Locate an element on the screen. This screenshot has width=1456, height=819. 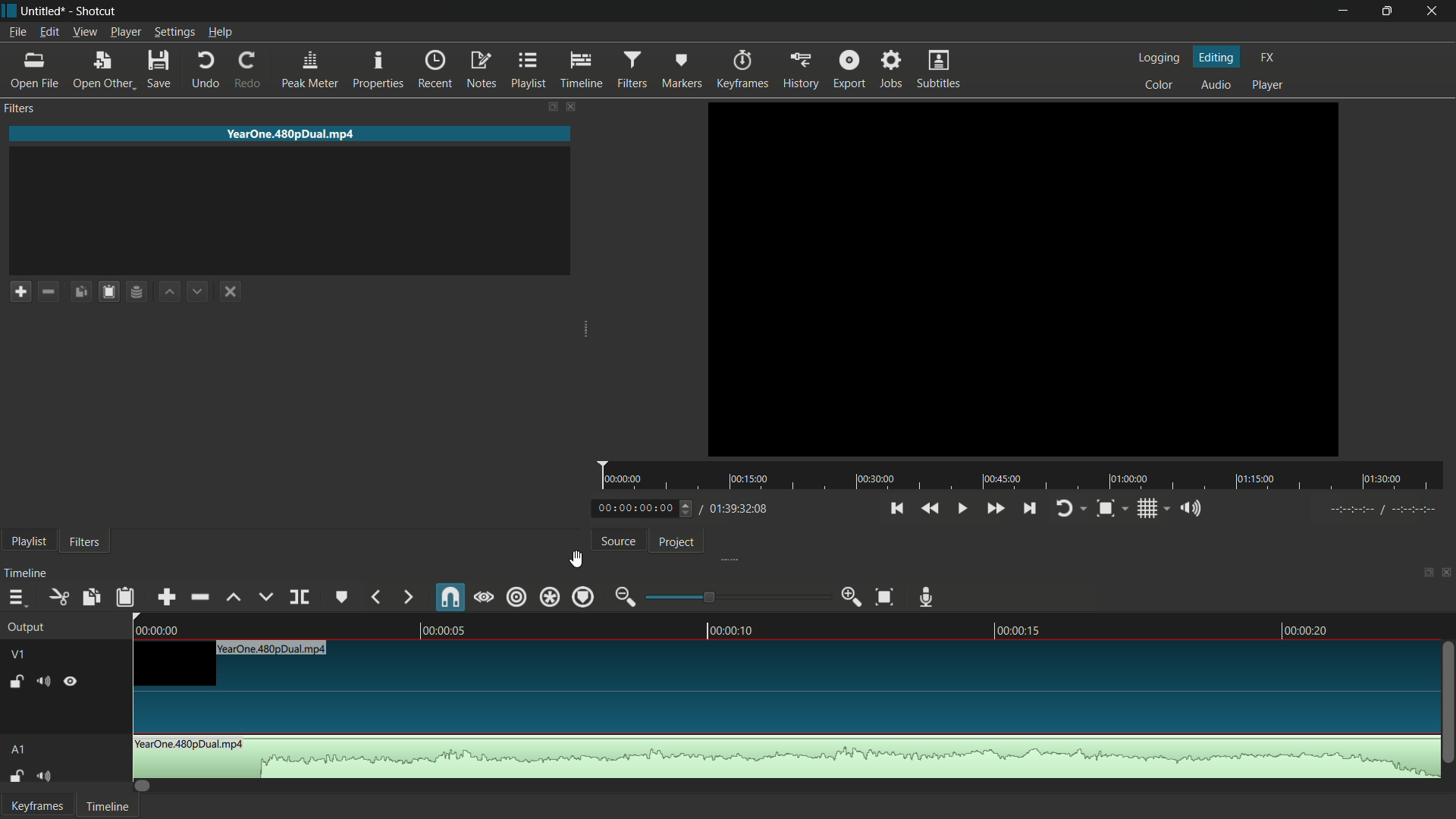
save is located at coordinates (160, 71).